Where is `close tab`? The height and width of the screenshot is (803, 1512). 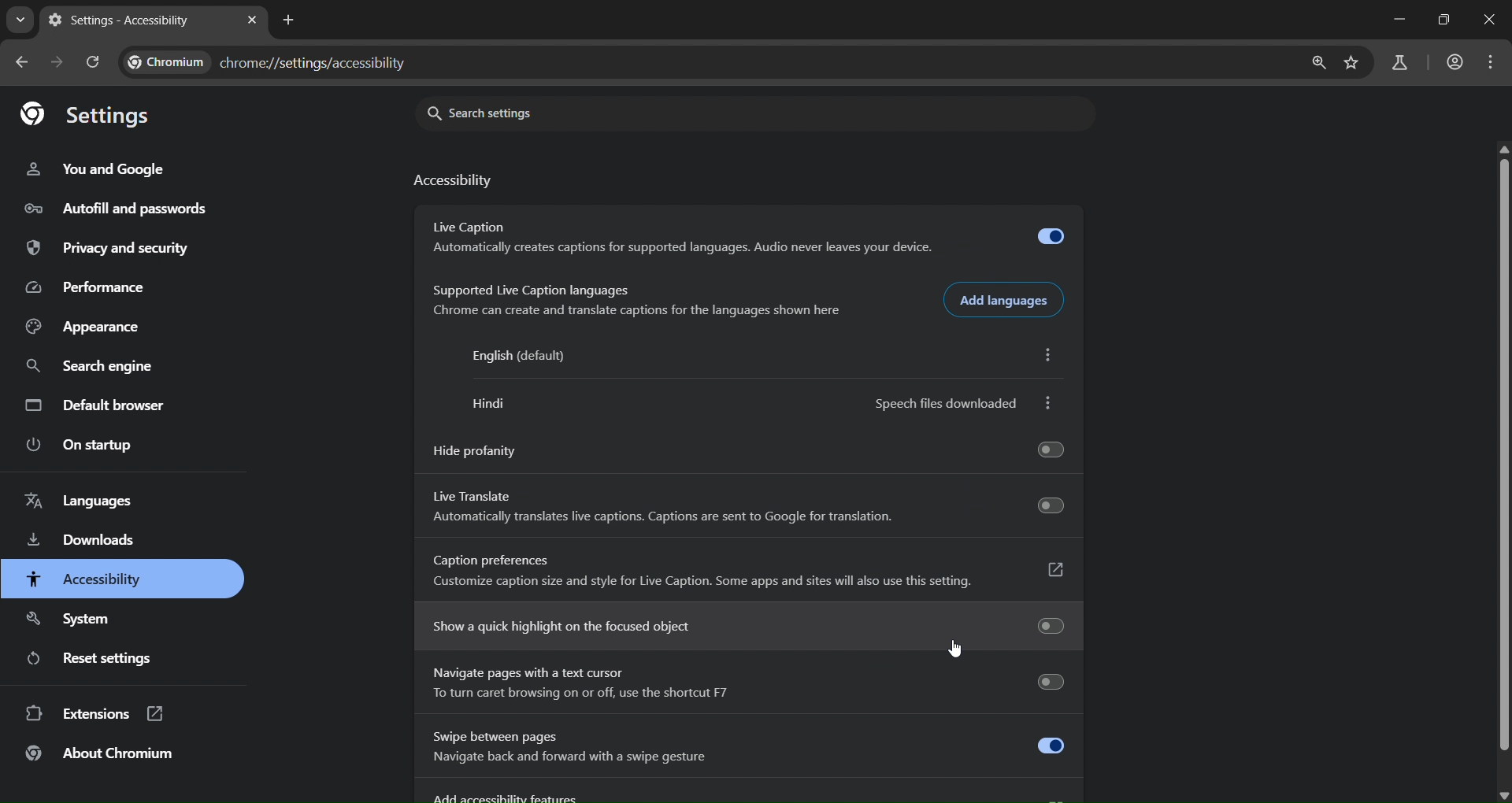 close tab is located at coordinates (252, 21).